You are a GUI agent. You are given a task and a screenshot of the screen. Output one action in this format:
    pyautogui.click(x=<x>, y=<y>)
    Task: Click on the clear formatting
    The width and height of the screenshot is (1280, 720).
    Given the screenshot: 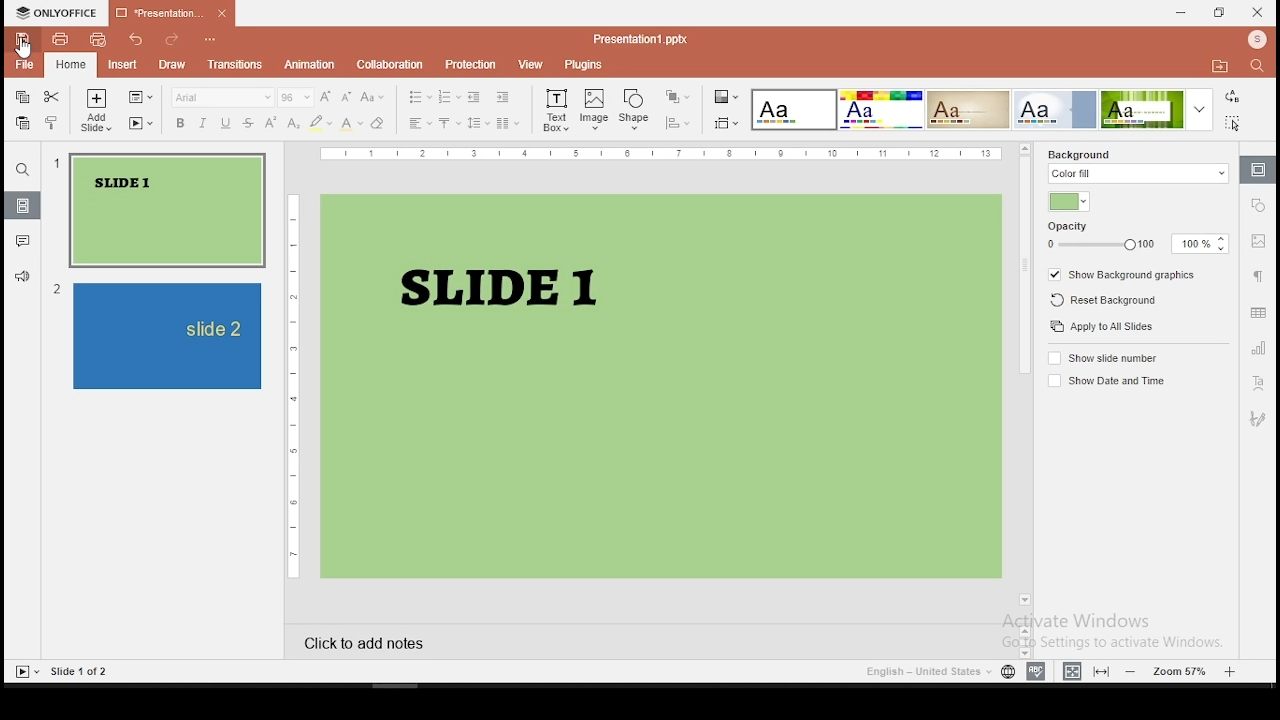 What is the action you would take?
    pyautogui.click(x=379, y=123)
    